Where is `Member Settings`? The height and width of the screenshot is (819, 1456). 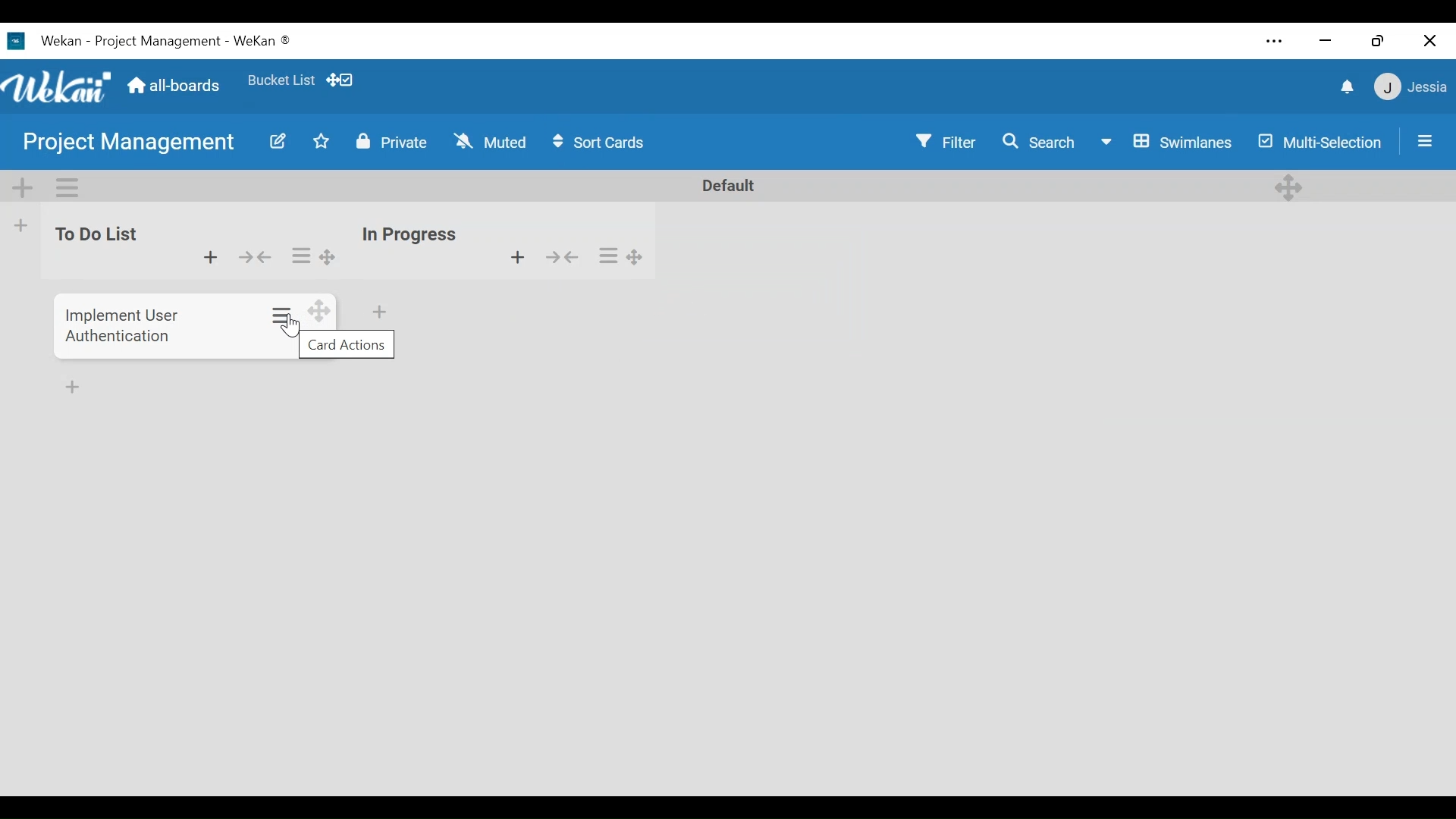 Member Settings is located at coordinates (1412, 87).